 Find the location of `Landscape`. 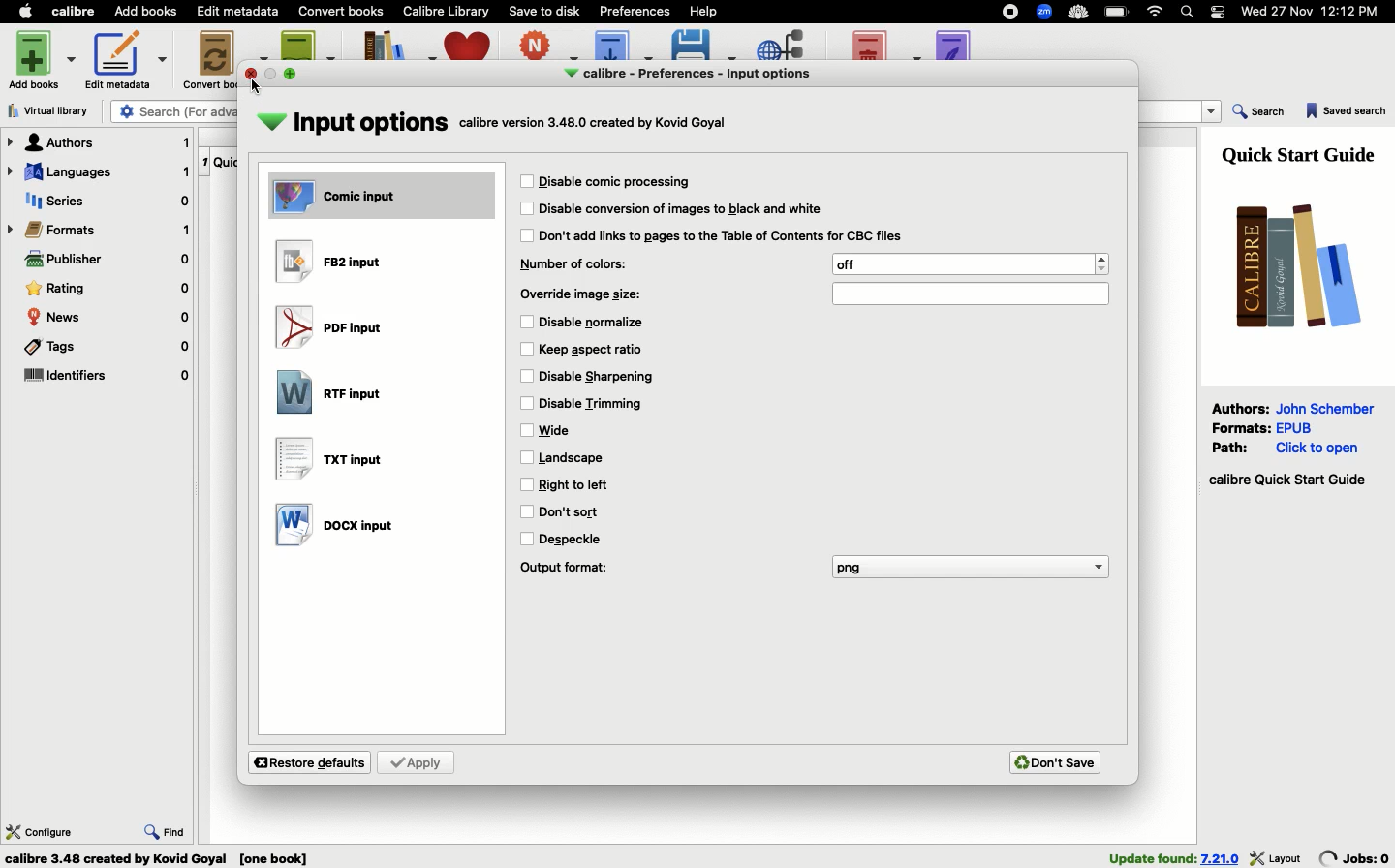

Landscape is located at coordinates (575, 457).